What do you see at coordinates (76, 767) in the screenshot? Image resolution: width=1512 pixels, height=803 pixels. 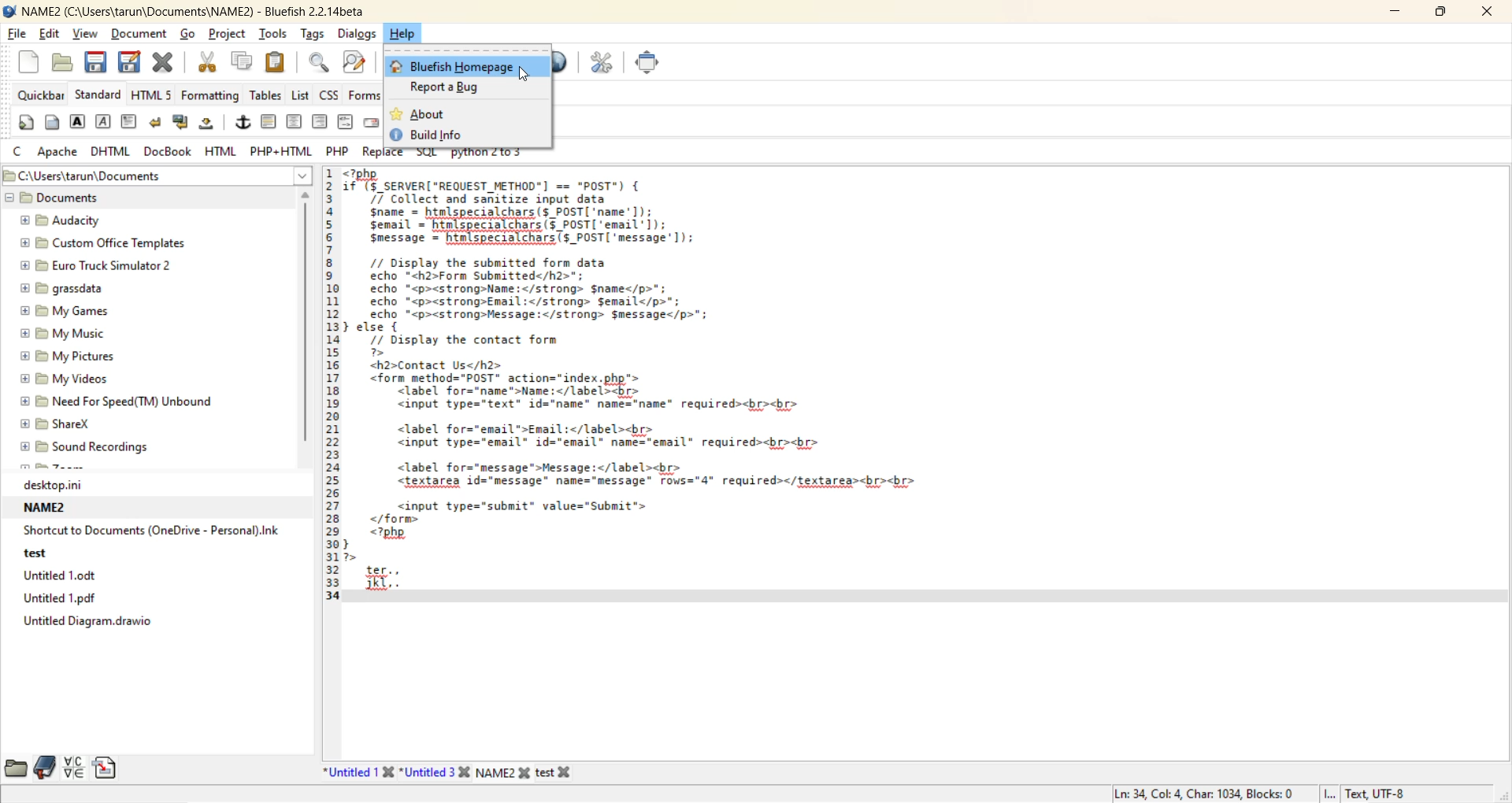 I see `charmap` at bounding box center [76, 767].